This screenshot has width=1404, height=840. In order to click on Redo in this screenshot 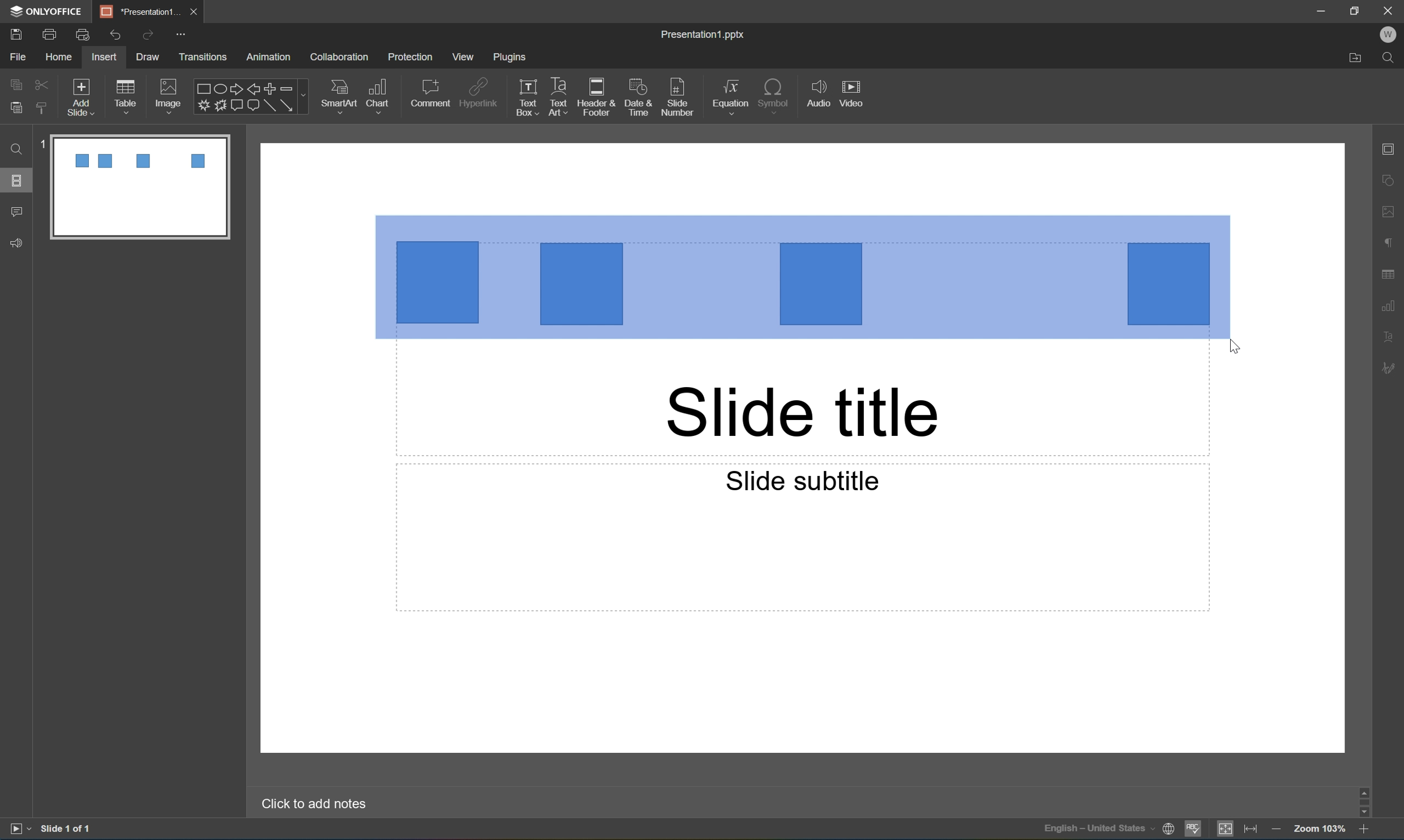, I will do `click(148, 36)`.